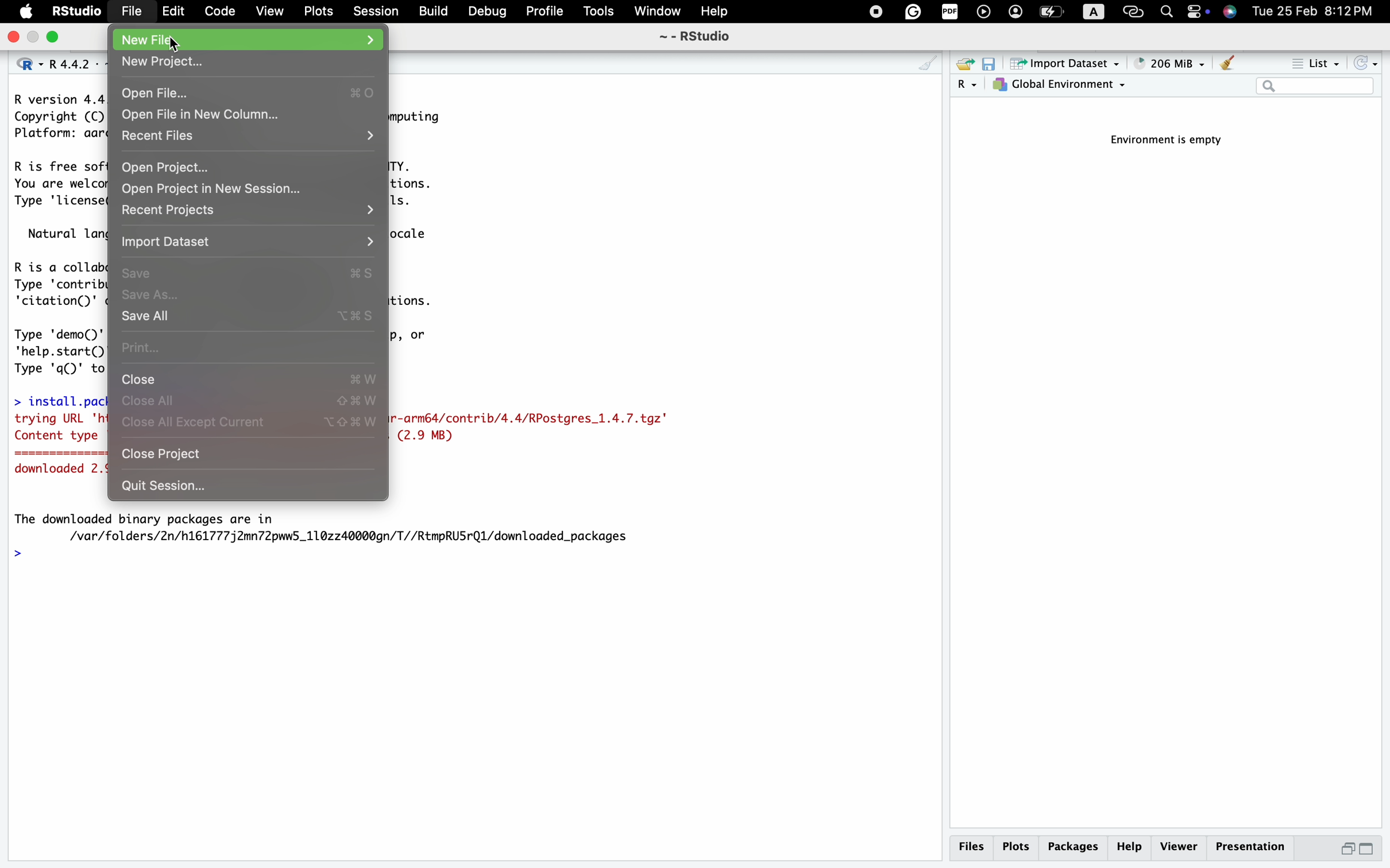 This screenshot has height=868, width=1390. I want to click on save all, so click(252, 317).